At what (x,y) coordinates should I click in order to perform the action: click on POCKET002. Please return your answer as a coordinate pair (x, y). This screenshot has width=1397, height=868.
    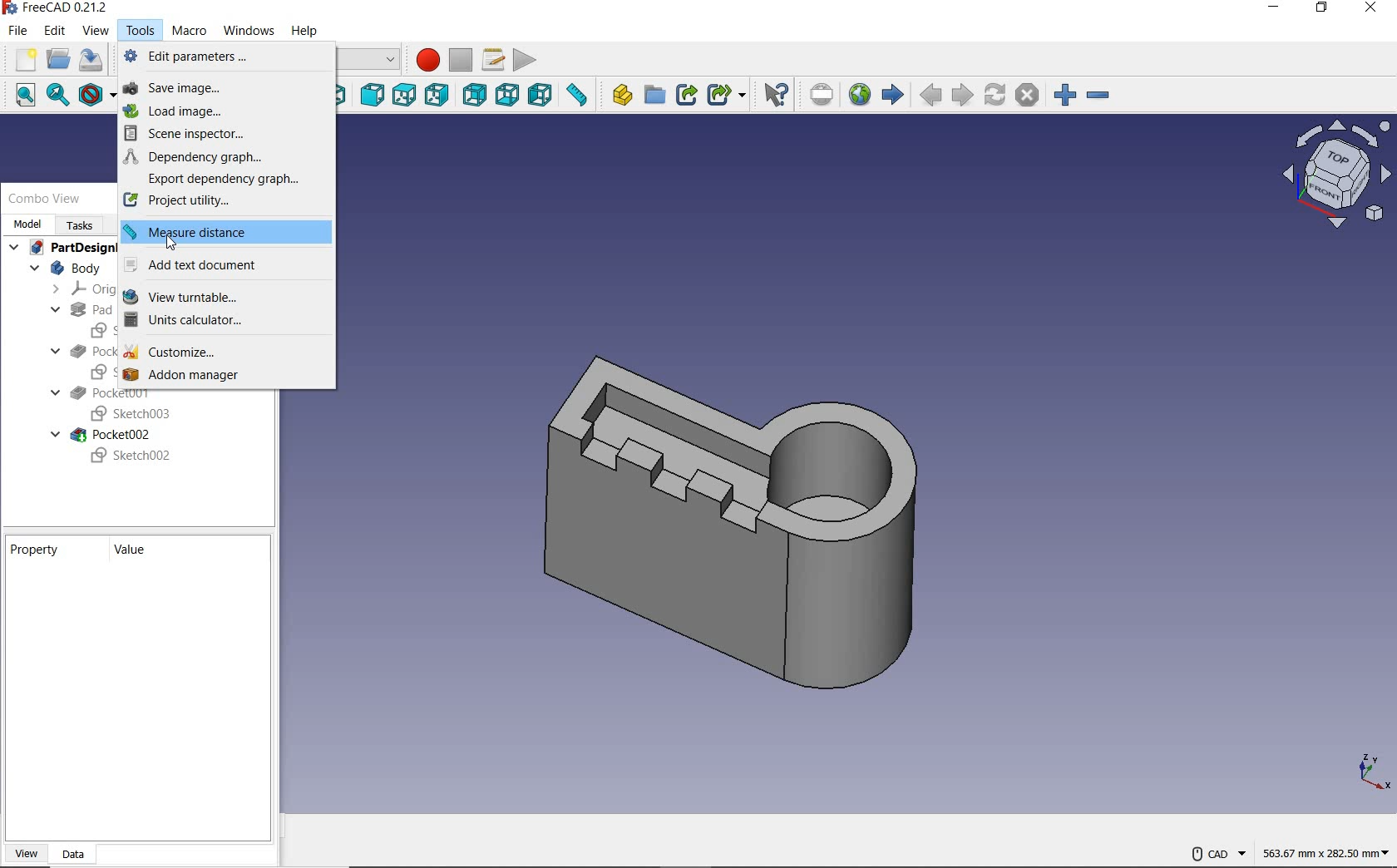
    Looking at the image, I should click on (103, 435).